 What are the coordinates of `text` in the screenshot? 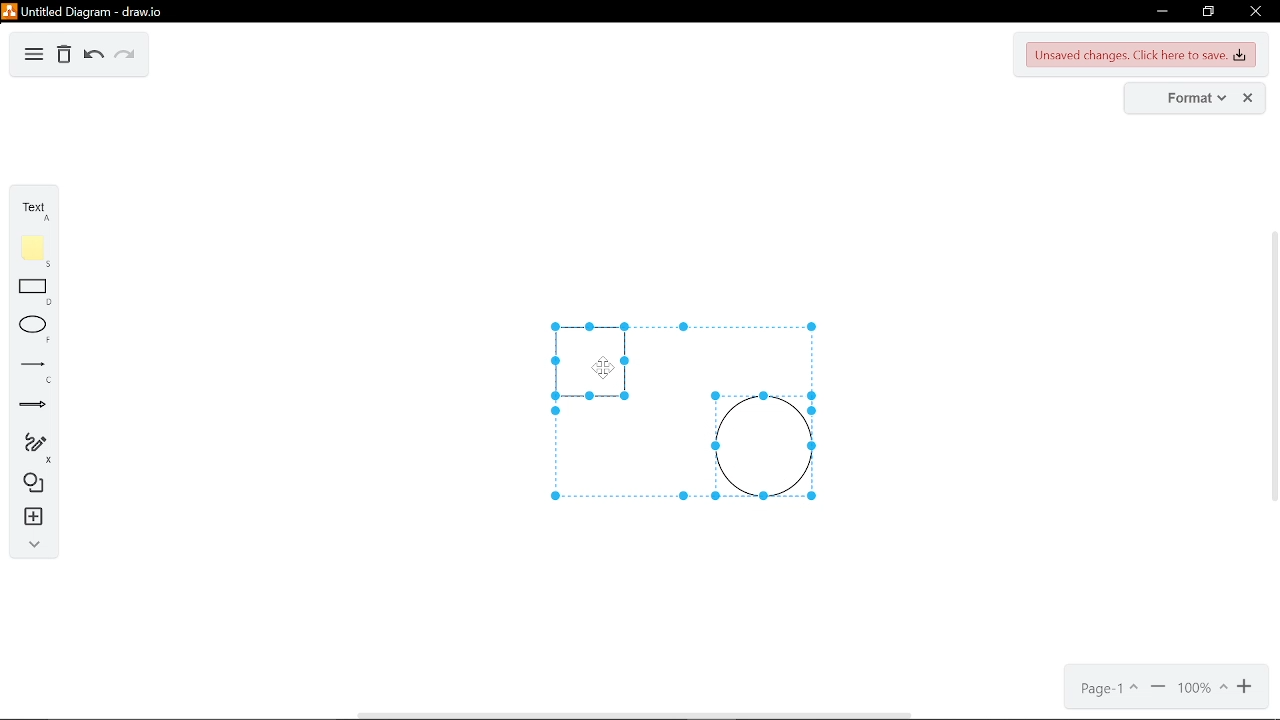 It's located at (30, 211).